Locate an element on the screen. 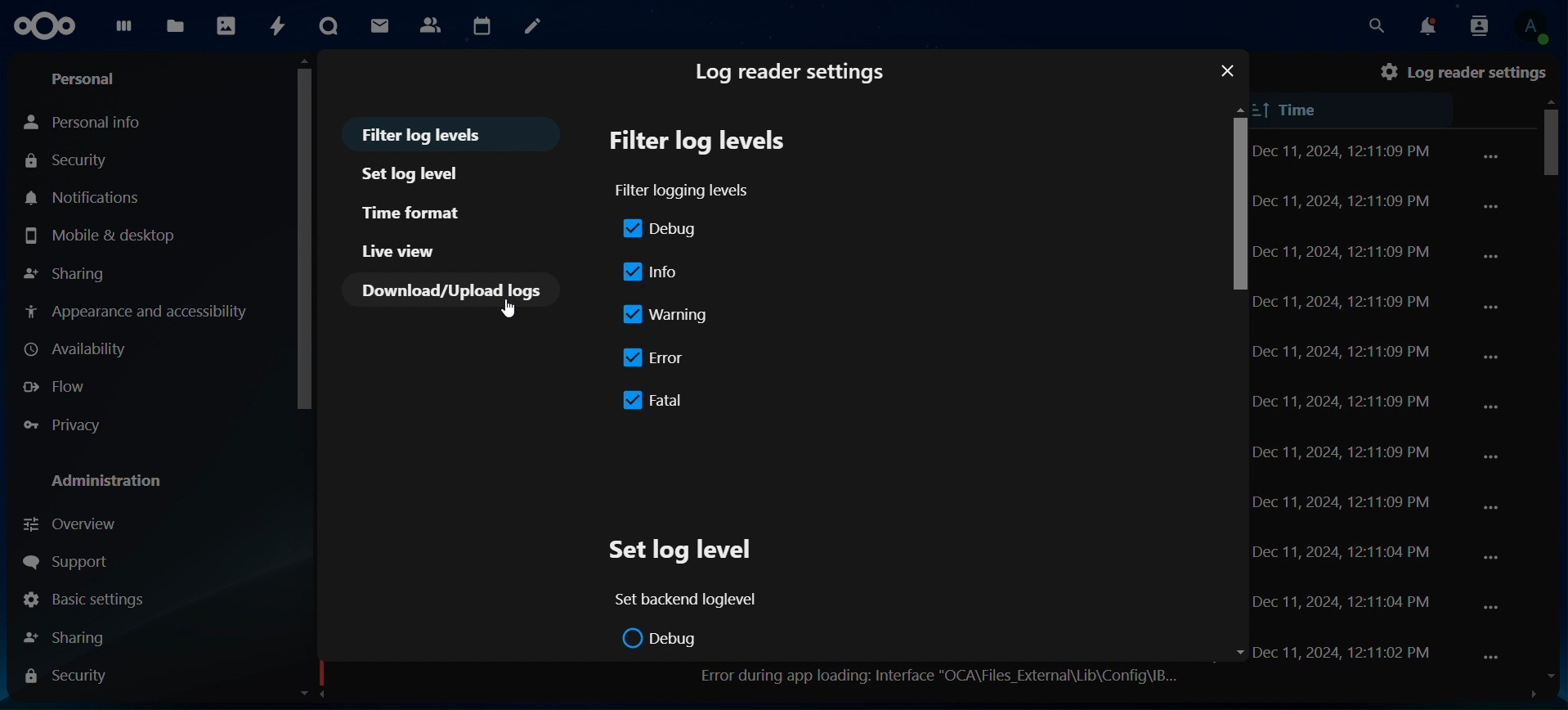 Image resolution: width=1568 pixels, height=710 pixels. shaing is located at coordinates (67, 634).